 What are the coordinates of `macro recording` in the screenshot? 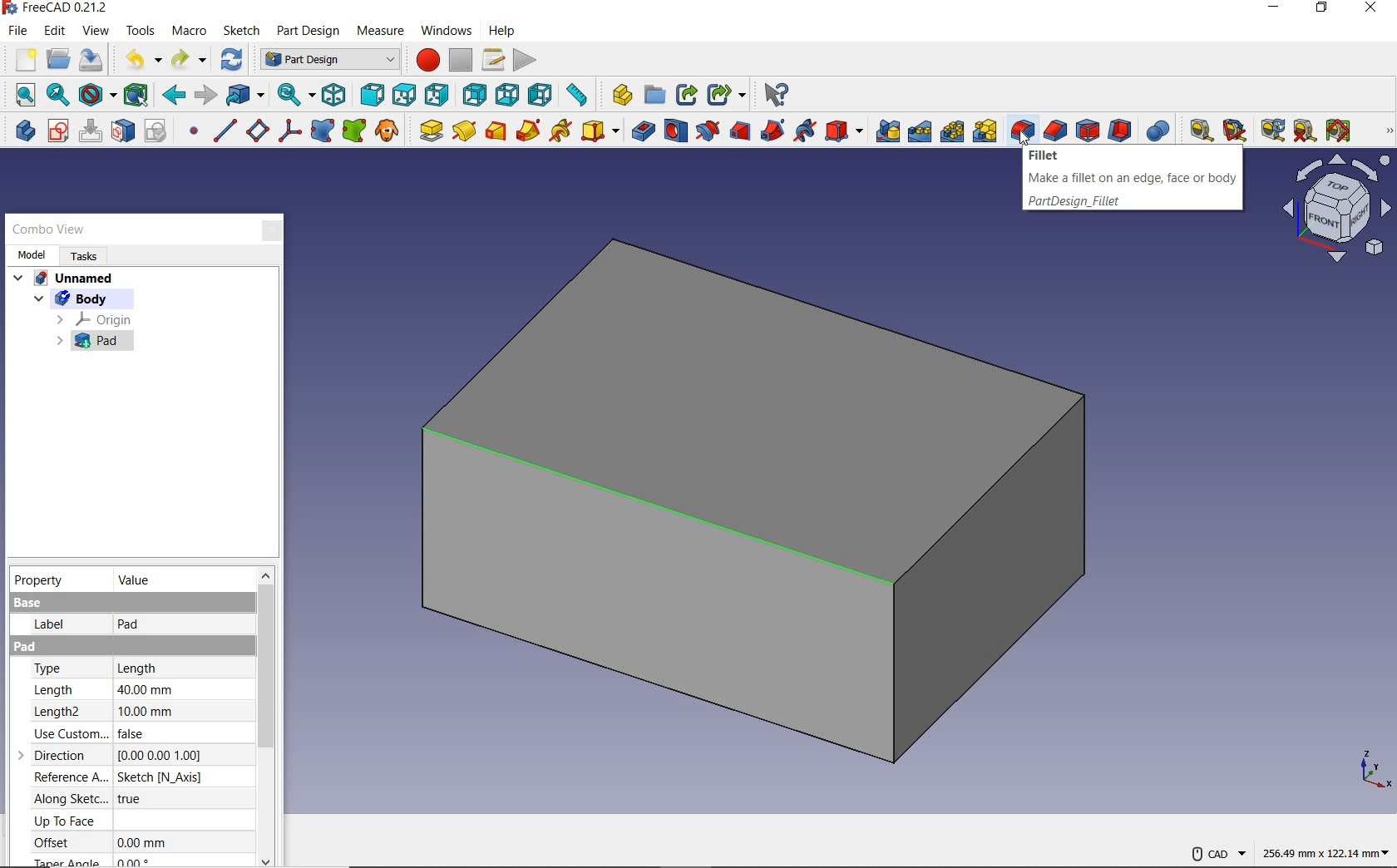 It's located at (426, 60).